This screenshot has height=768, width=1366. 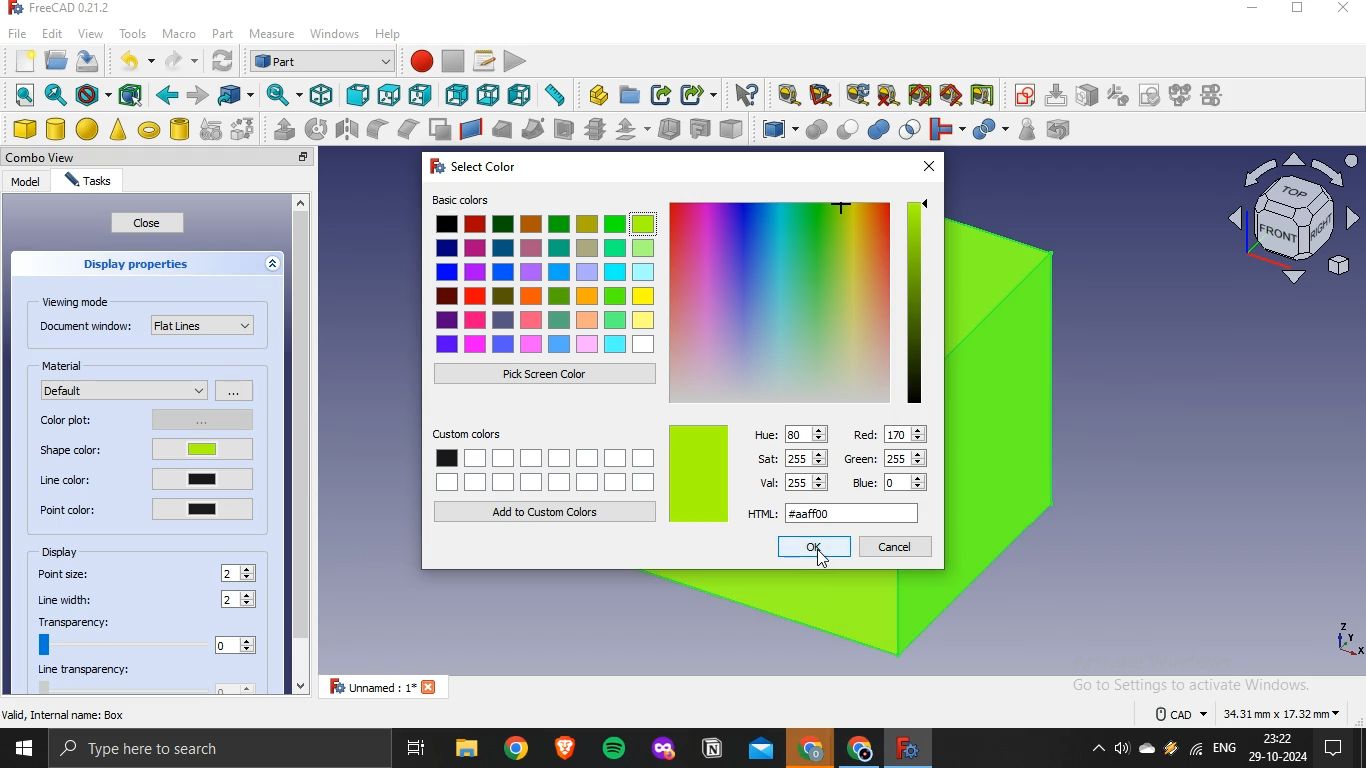 What do you see at coordinates (789, 96) in the screenshot?
I see `measure linear` at bounding box center [789, 96].